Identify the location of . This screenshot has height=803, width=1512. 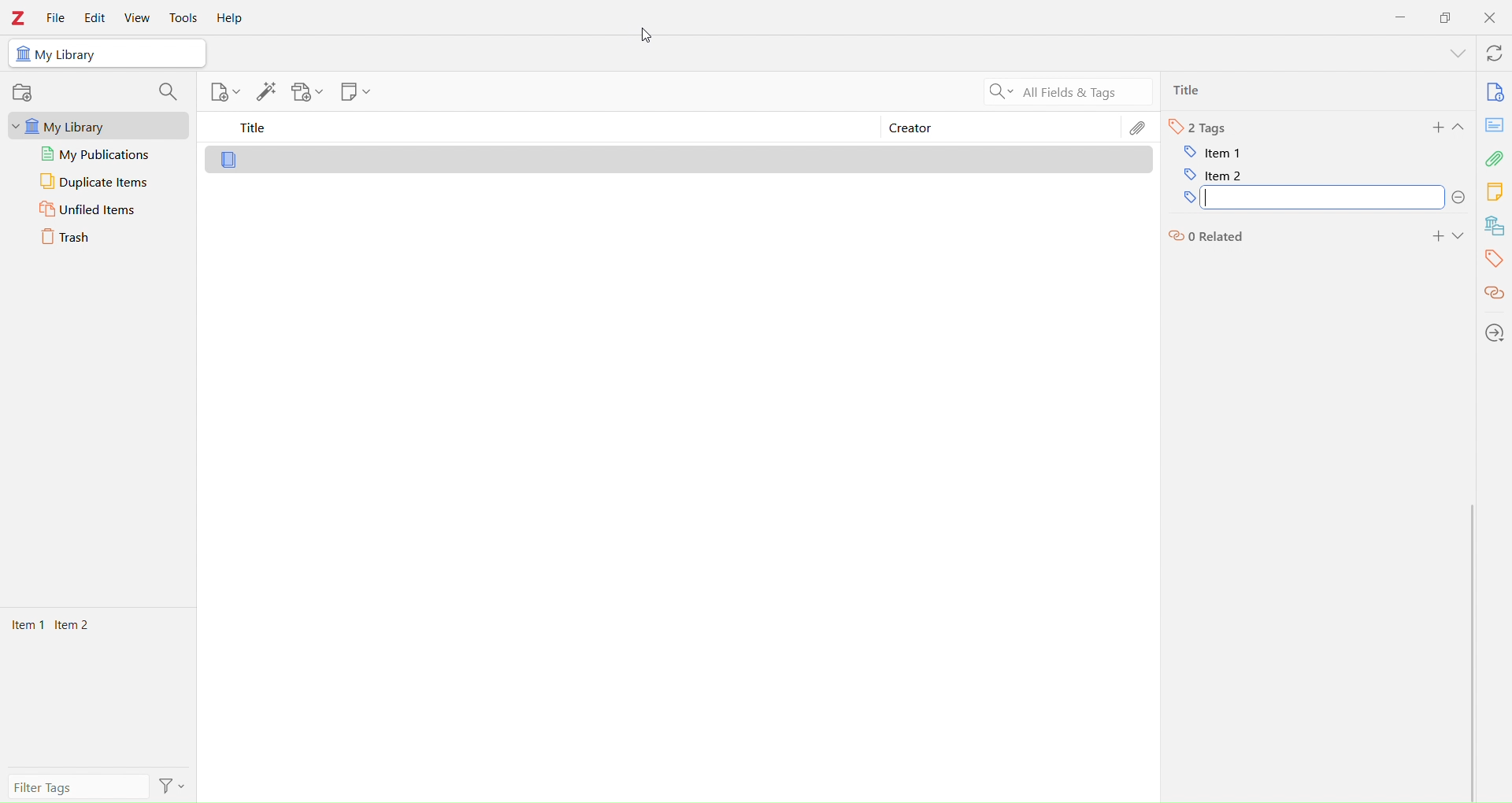
(184, 18).